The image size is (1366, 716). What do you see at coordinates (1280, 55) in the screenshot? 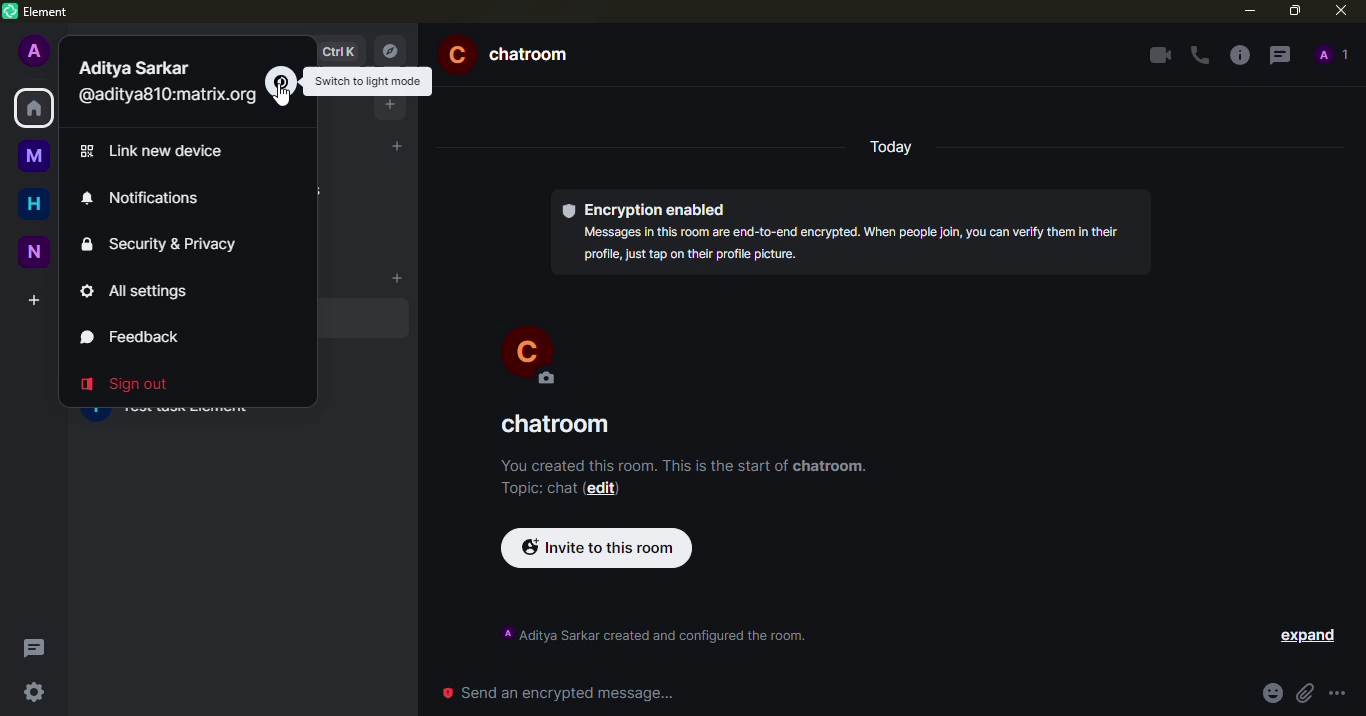
I see `threads` at bounding box center [1280, 55].